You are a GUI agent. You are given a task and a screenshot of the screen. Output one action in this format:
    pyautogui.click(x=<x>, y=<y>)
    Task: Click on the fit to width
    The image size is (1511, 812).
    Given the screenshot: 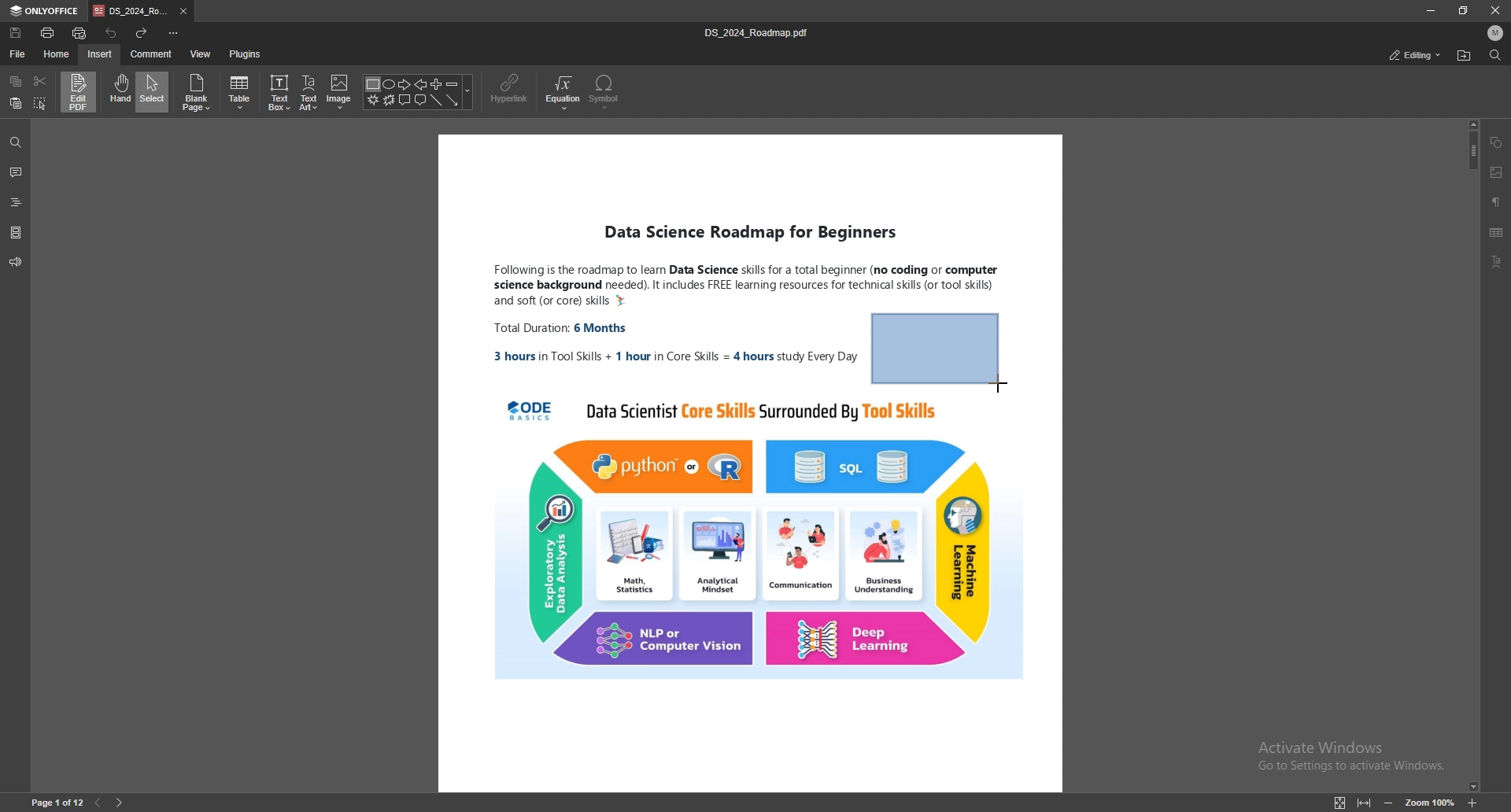 What is the action you would take?
    pyautogui.click(x=1366, y=802)
    